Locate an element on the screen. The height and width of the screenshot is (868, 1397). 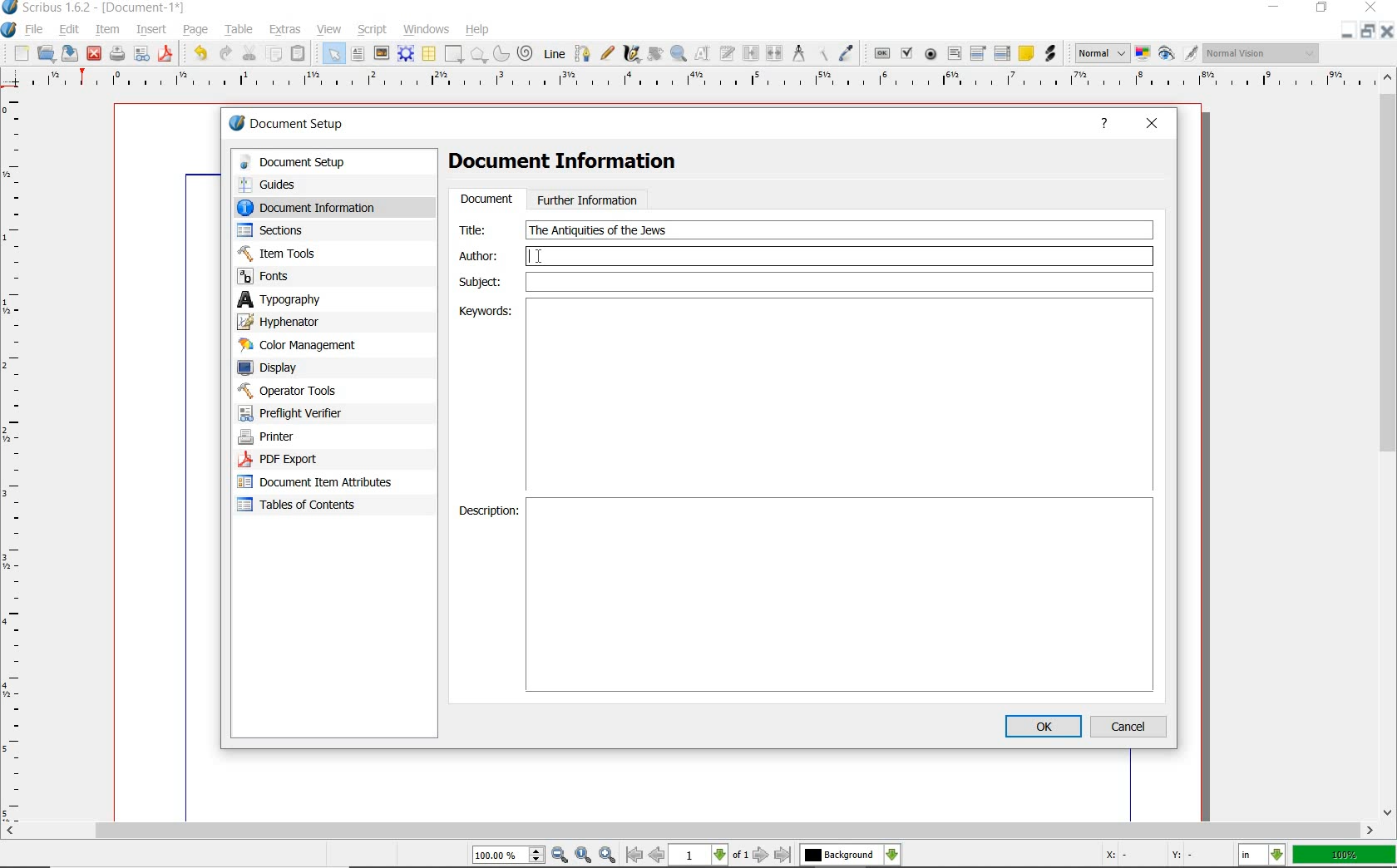
arc is located at coordinates (501, 53).